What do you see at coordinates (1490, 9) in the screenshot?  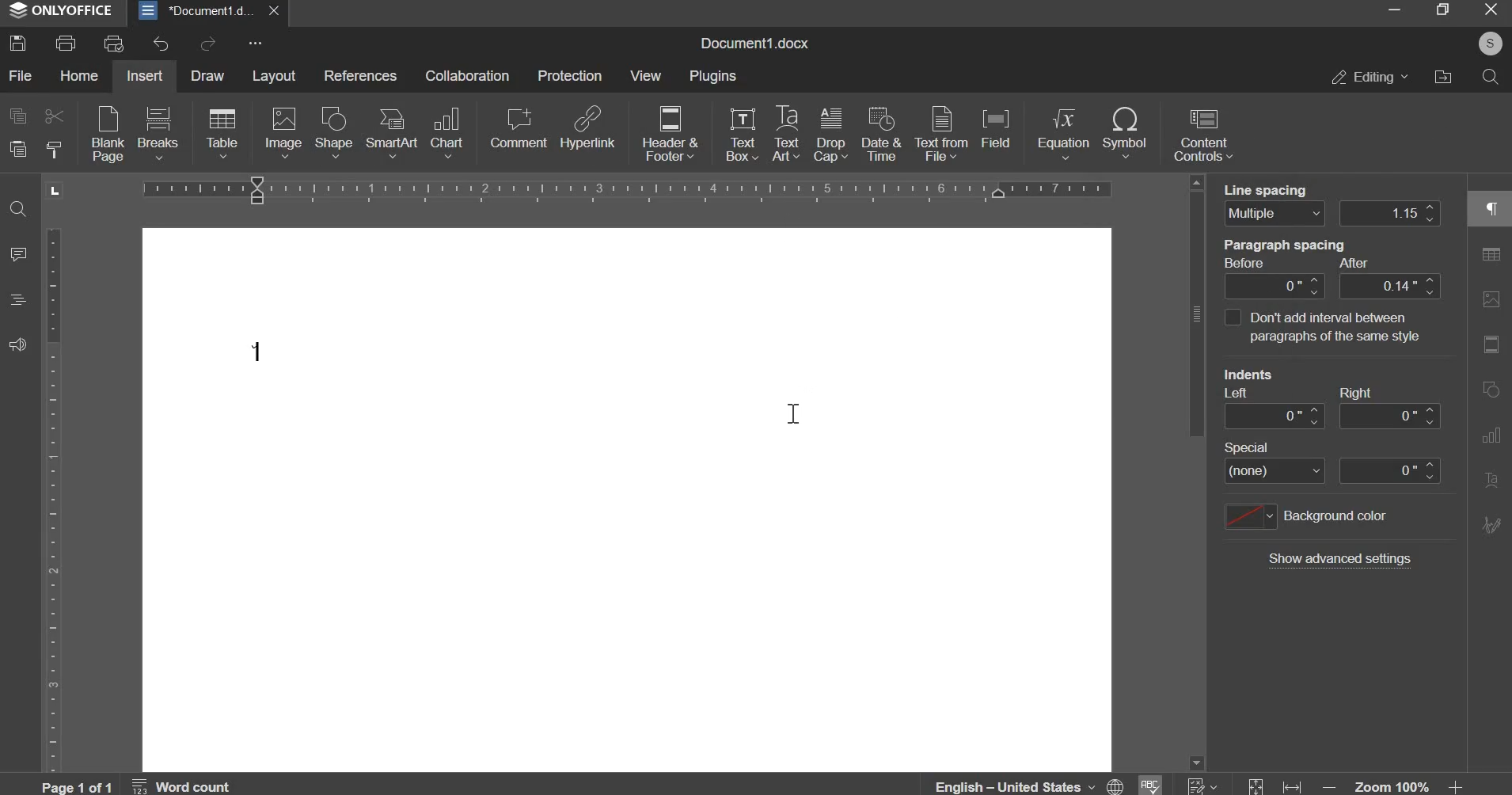 I see `exit` at bounding box center [1490, 9].